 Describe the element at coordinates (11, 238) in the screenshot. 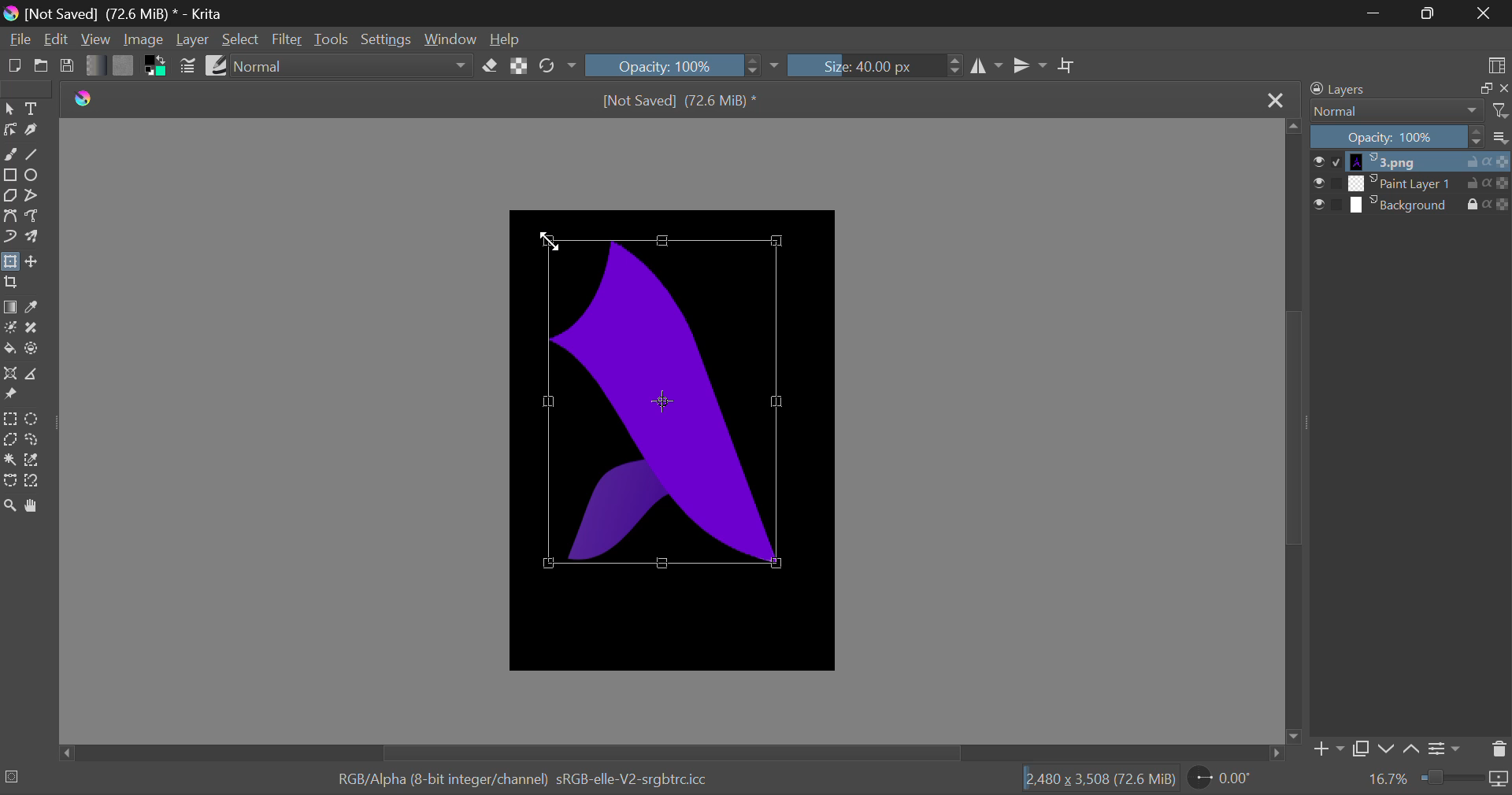

I see `Dynamic Brush Tool` at that location.